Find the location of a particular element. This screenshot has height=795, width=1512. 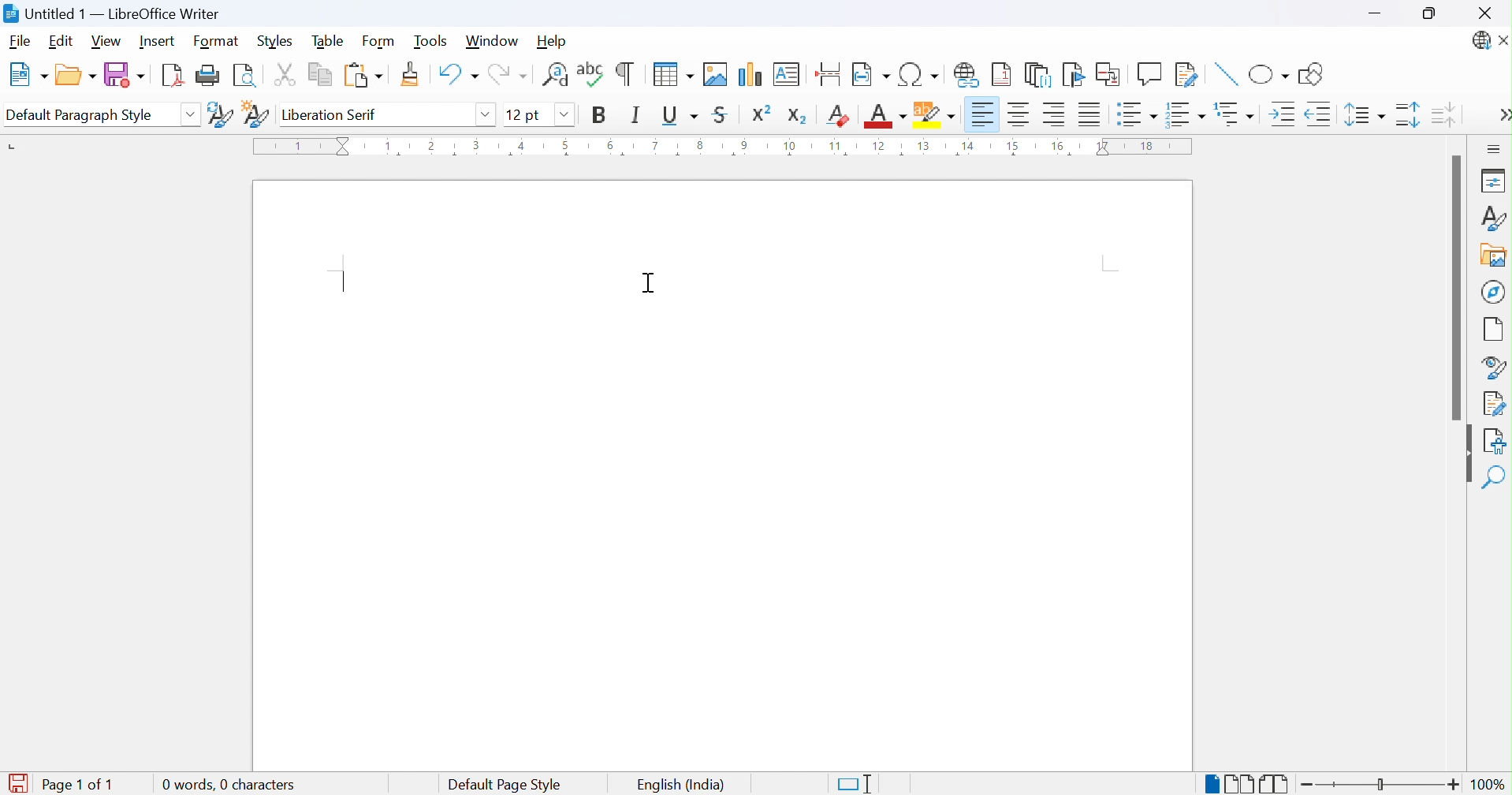

Bold is located at coordinates (602, 115).